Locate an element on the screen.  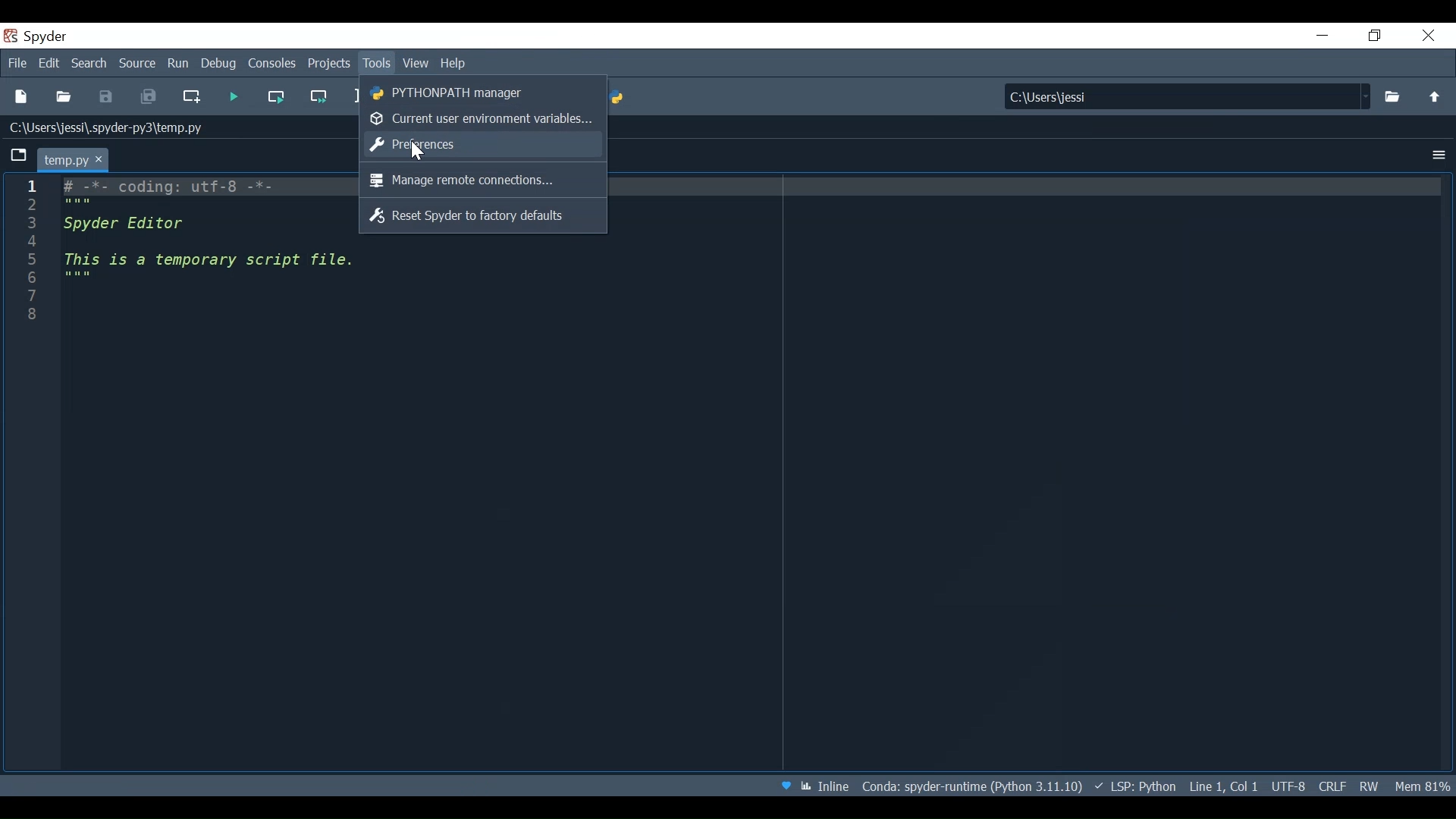
Line column is located at coordinates (30, 475).